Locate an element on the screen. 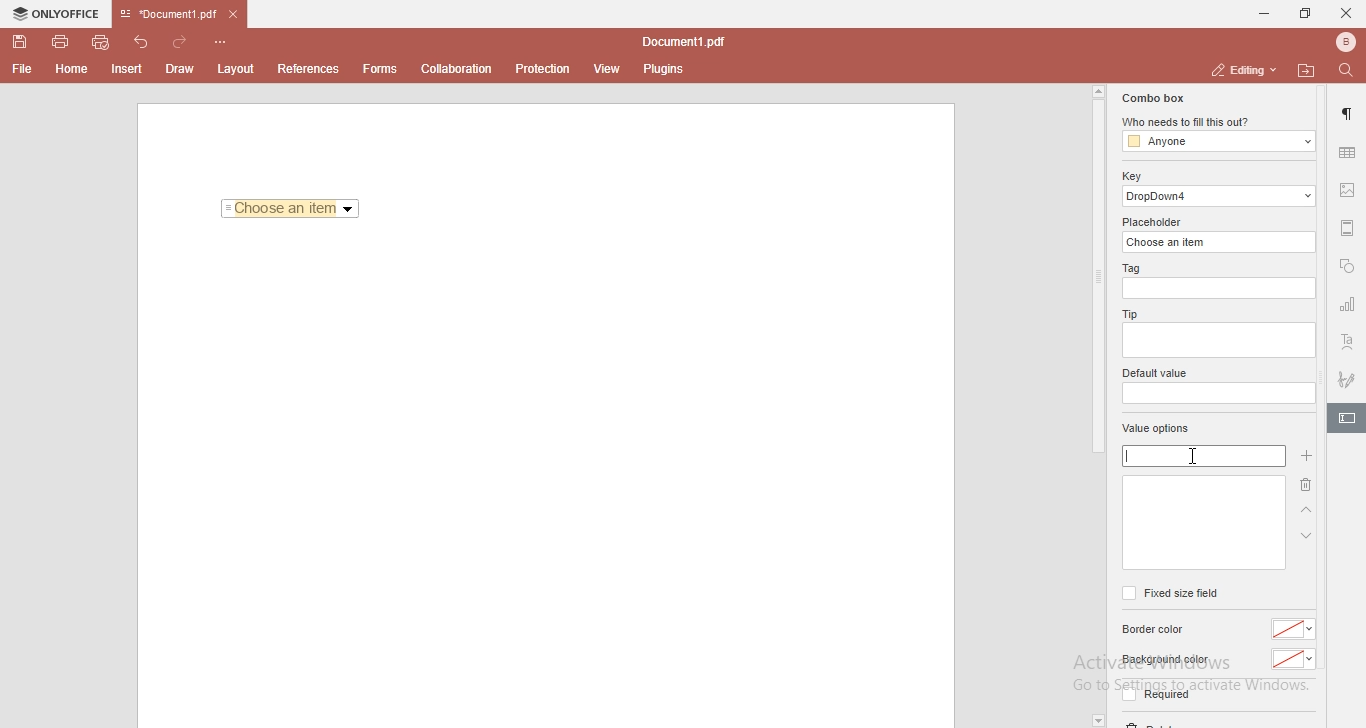  signature is located at coordinates (1348, 376).